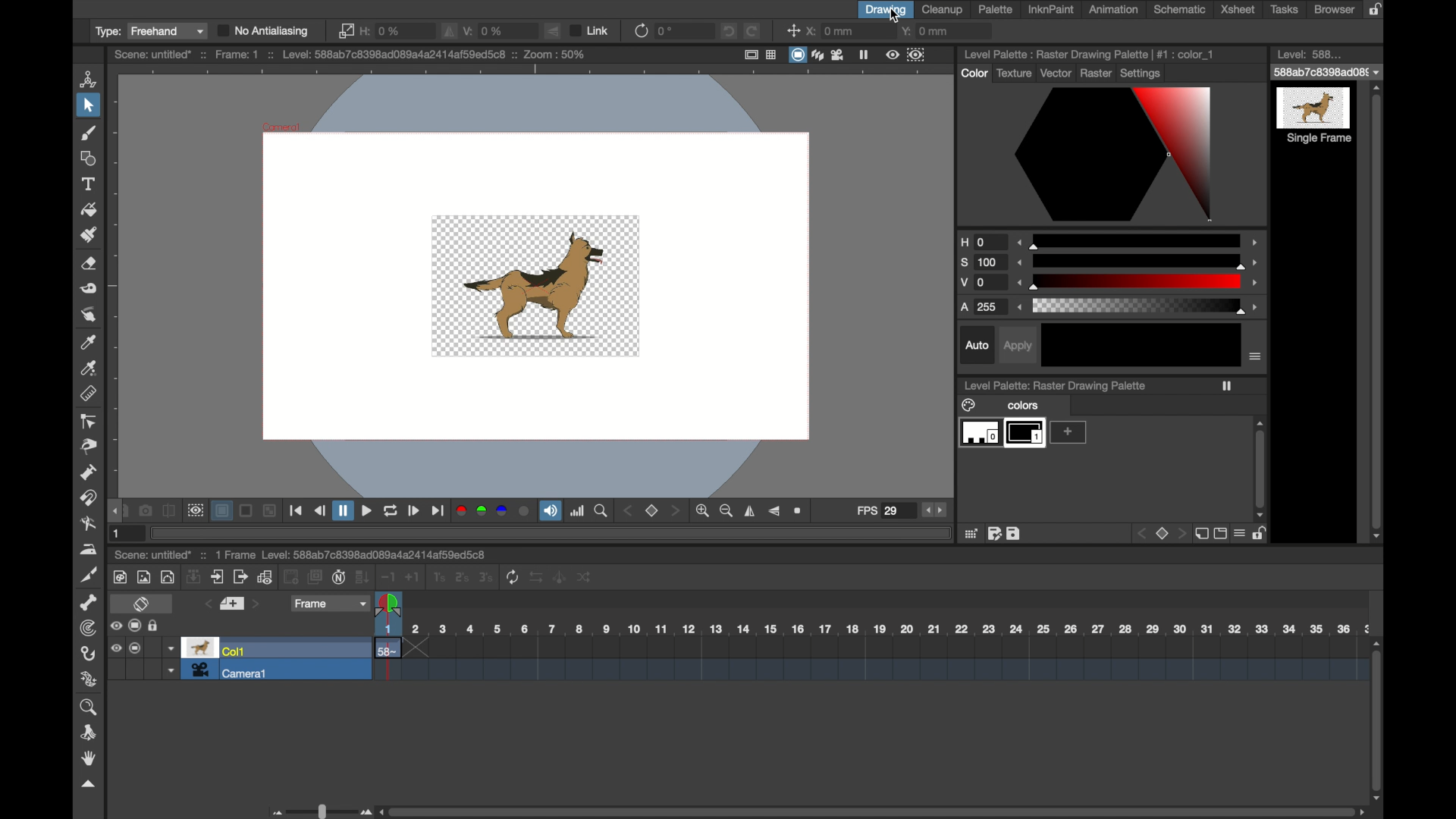 Image resolution: width=1456 pixels, height=819 pixels. I want to click on preview, so click(199, 647).